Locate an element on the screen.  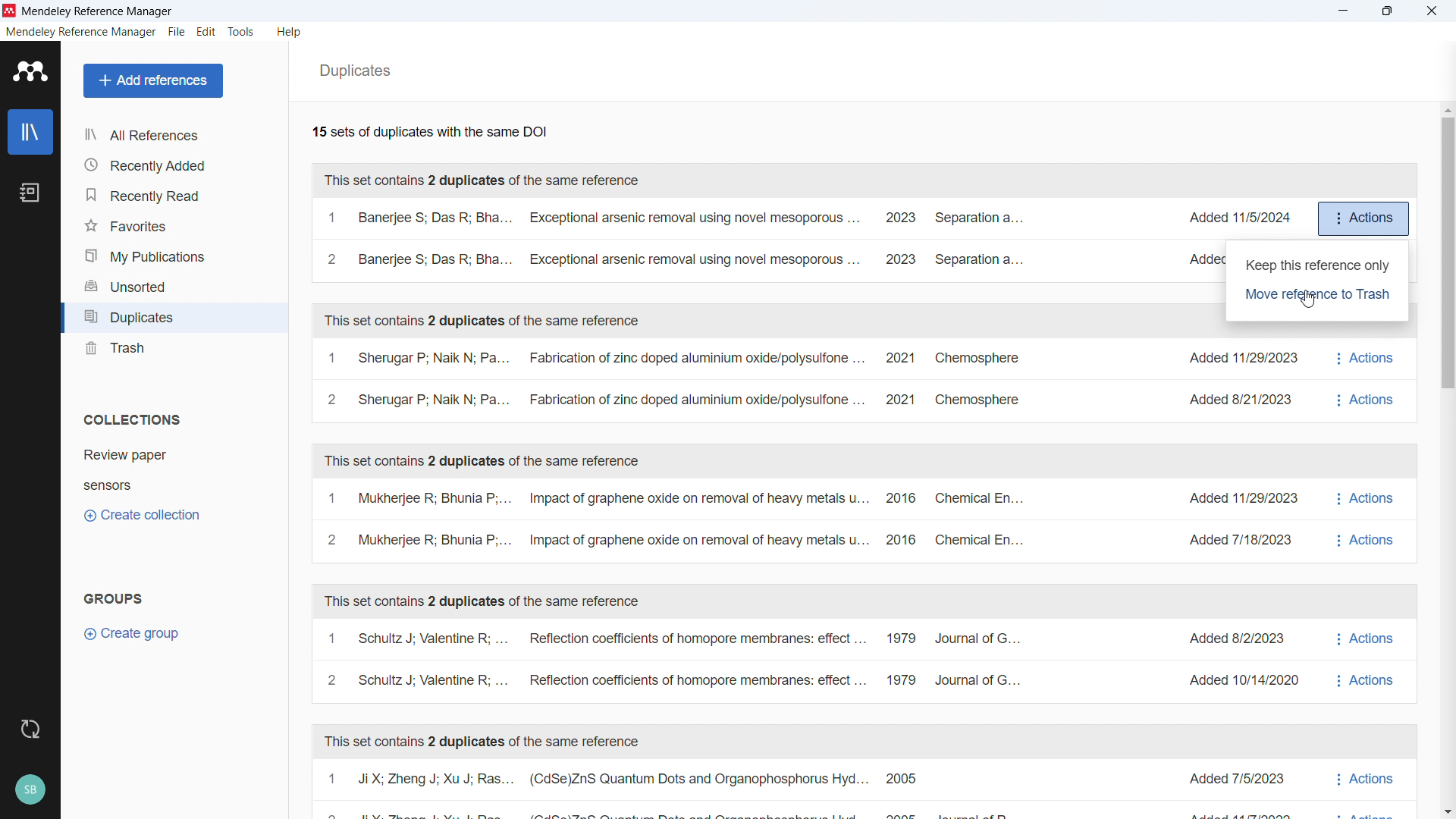
Profile  is located at coordinates (30, 787).